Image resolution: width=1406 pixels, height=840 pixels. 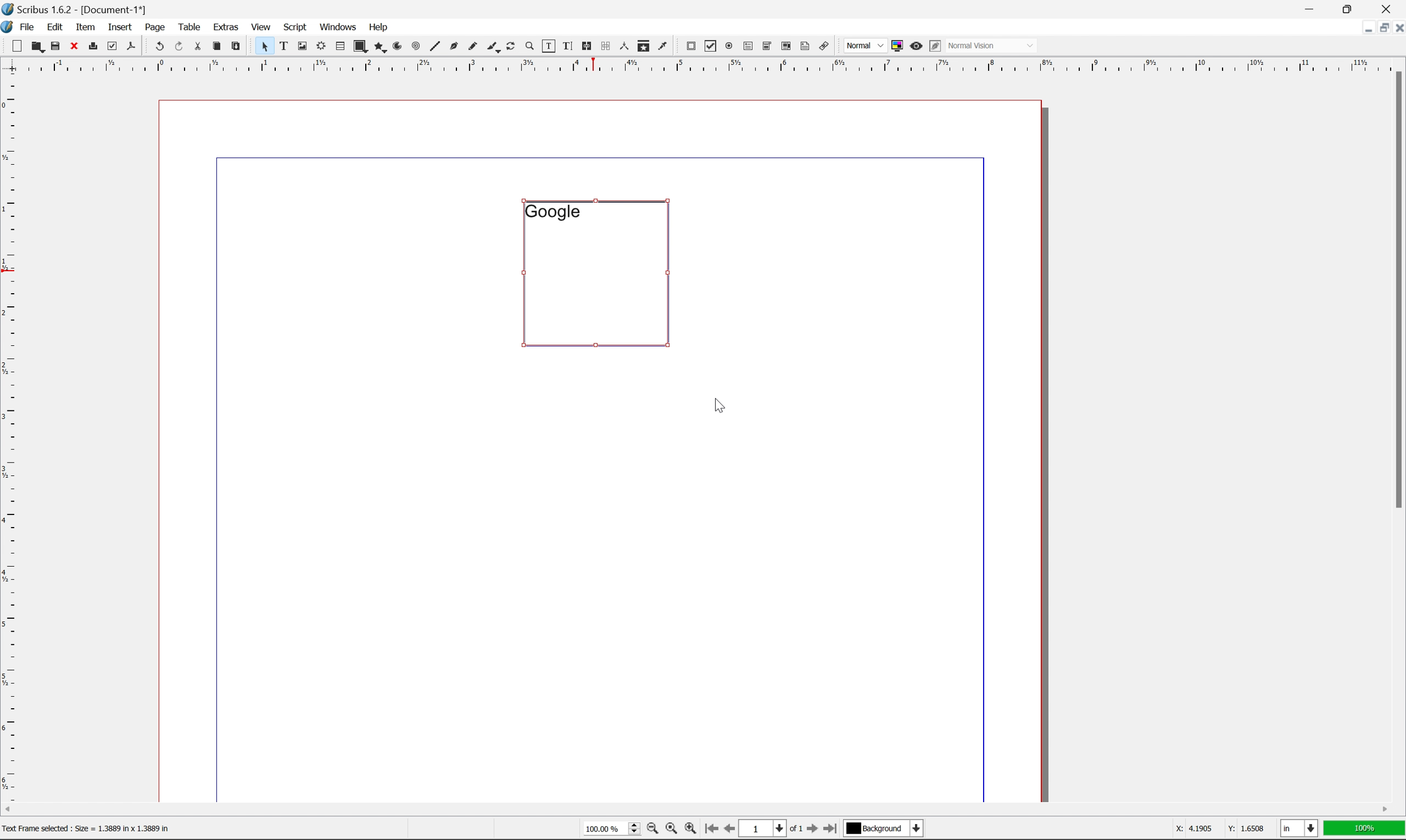 What do you see at coordinates (10, 436) in the screenshot?
I see `ruler` at bounding box center [10, 436].